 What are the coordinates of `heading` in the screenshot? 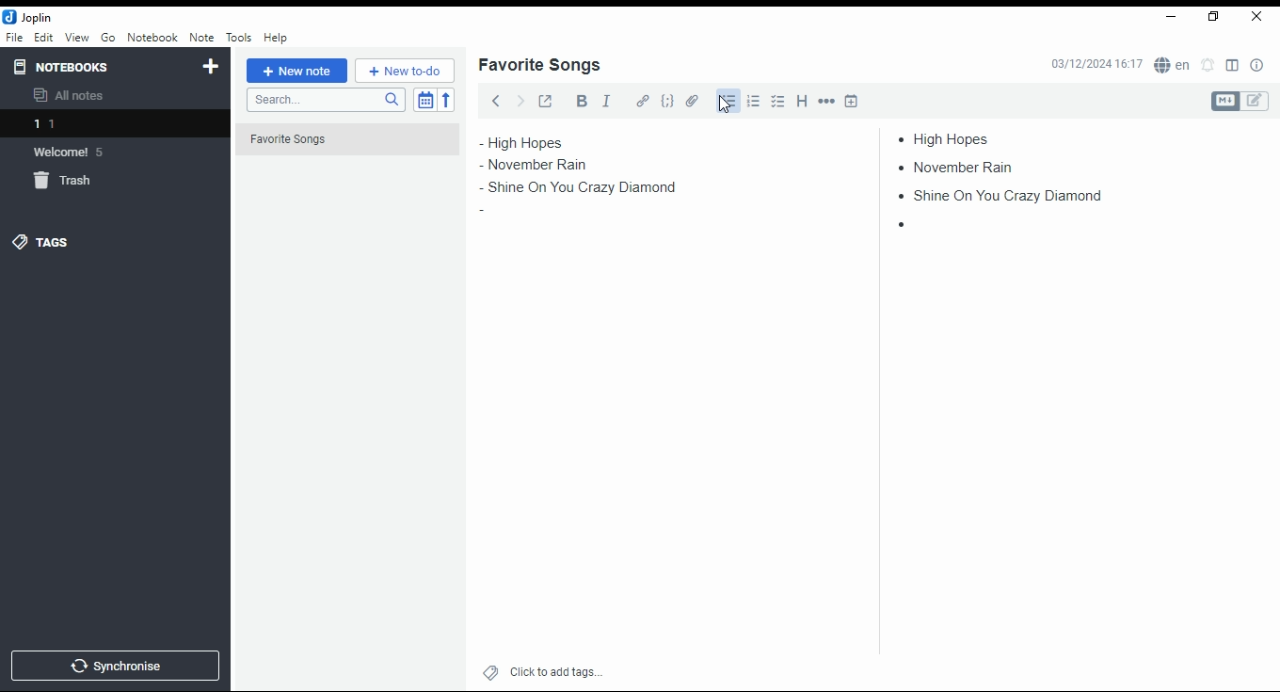 It's located at (803, 99).